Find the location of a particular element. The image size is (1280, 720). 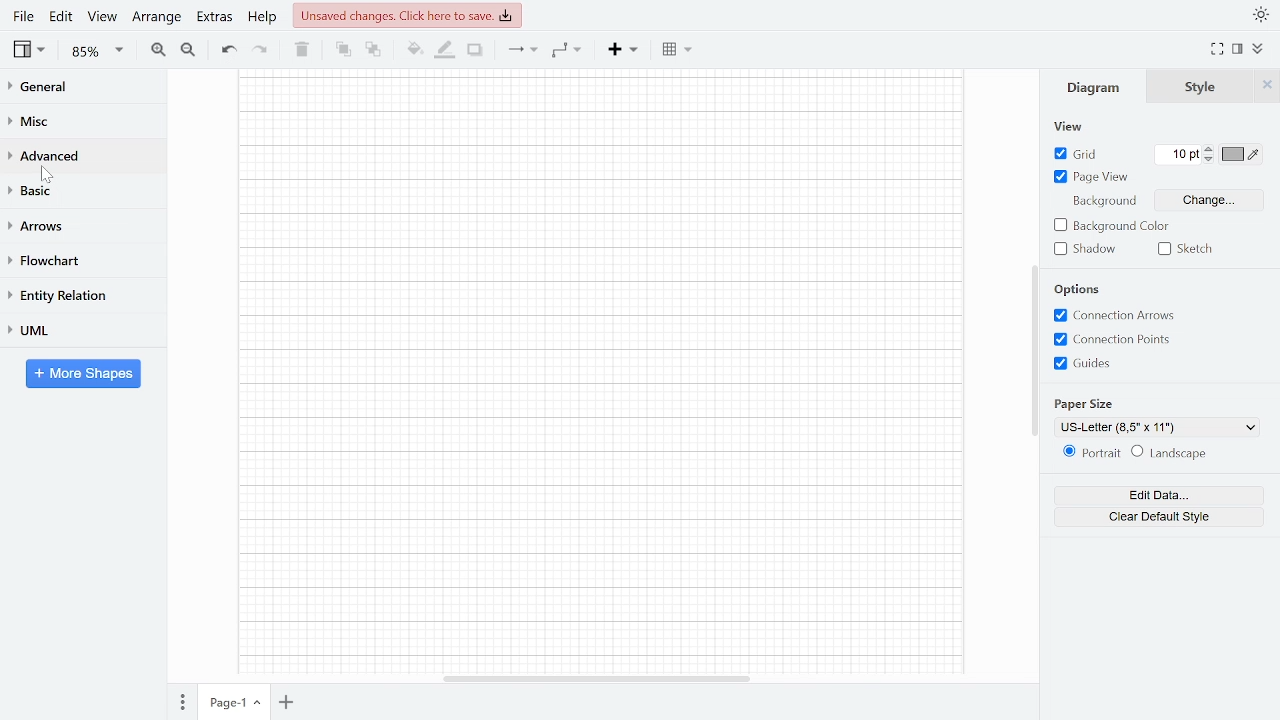

Landscape is located at coordinates (1174, 451).